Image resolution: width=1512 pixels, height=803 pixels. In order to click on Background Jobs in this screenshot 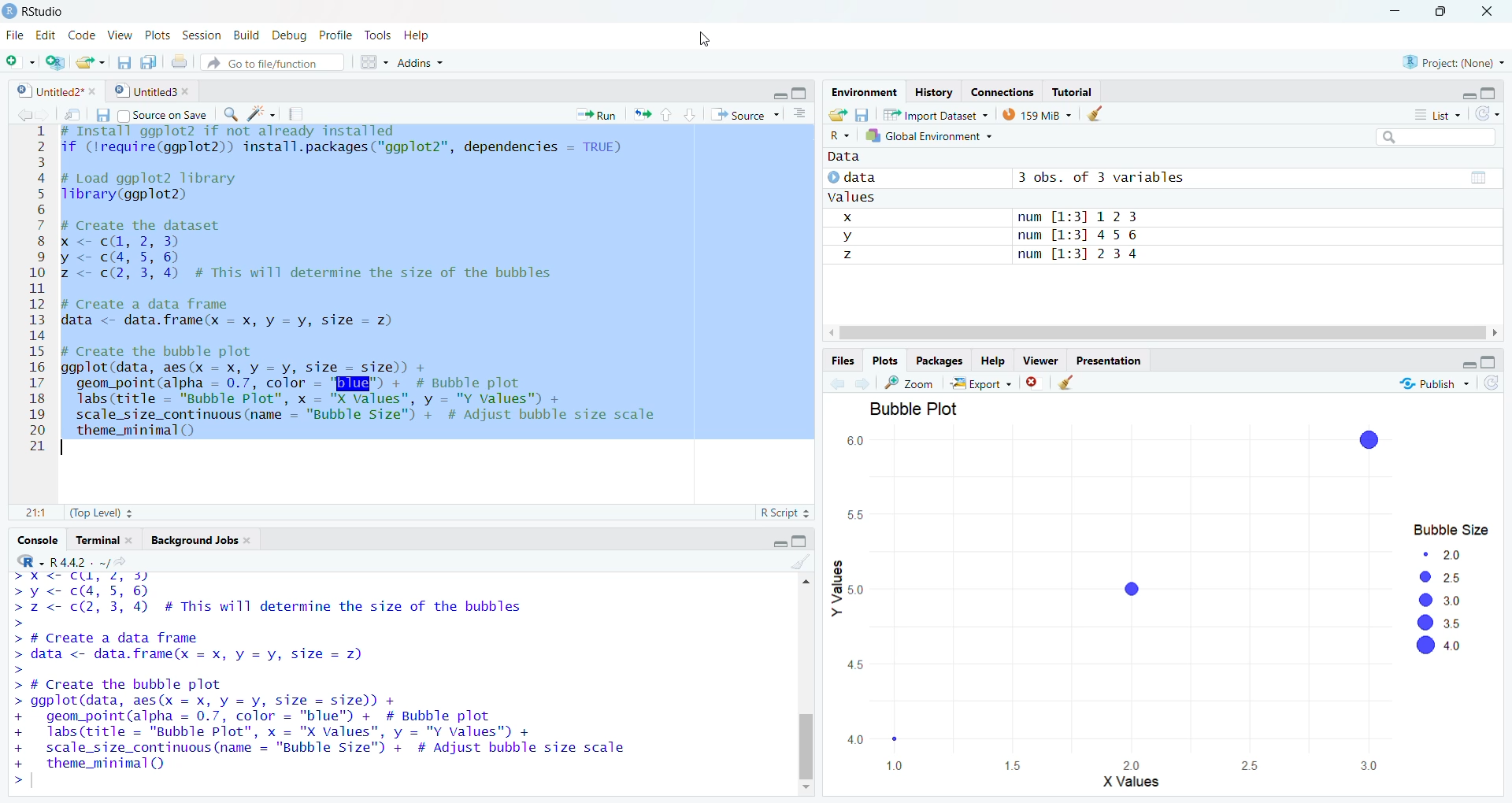, I will do `click(199, 538)`.